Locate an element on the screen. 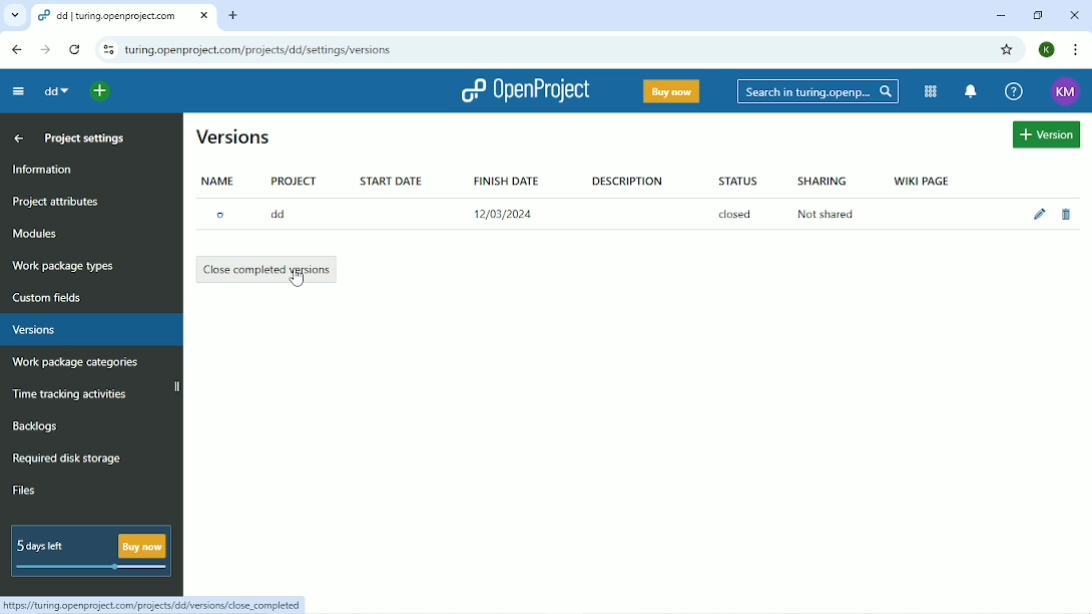  Required disk storage is located at coordinates (73, 459).